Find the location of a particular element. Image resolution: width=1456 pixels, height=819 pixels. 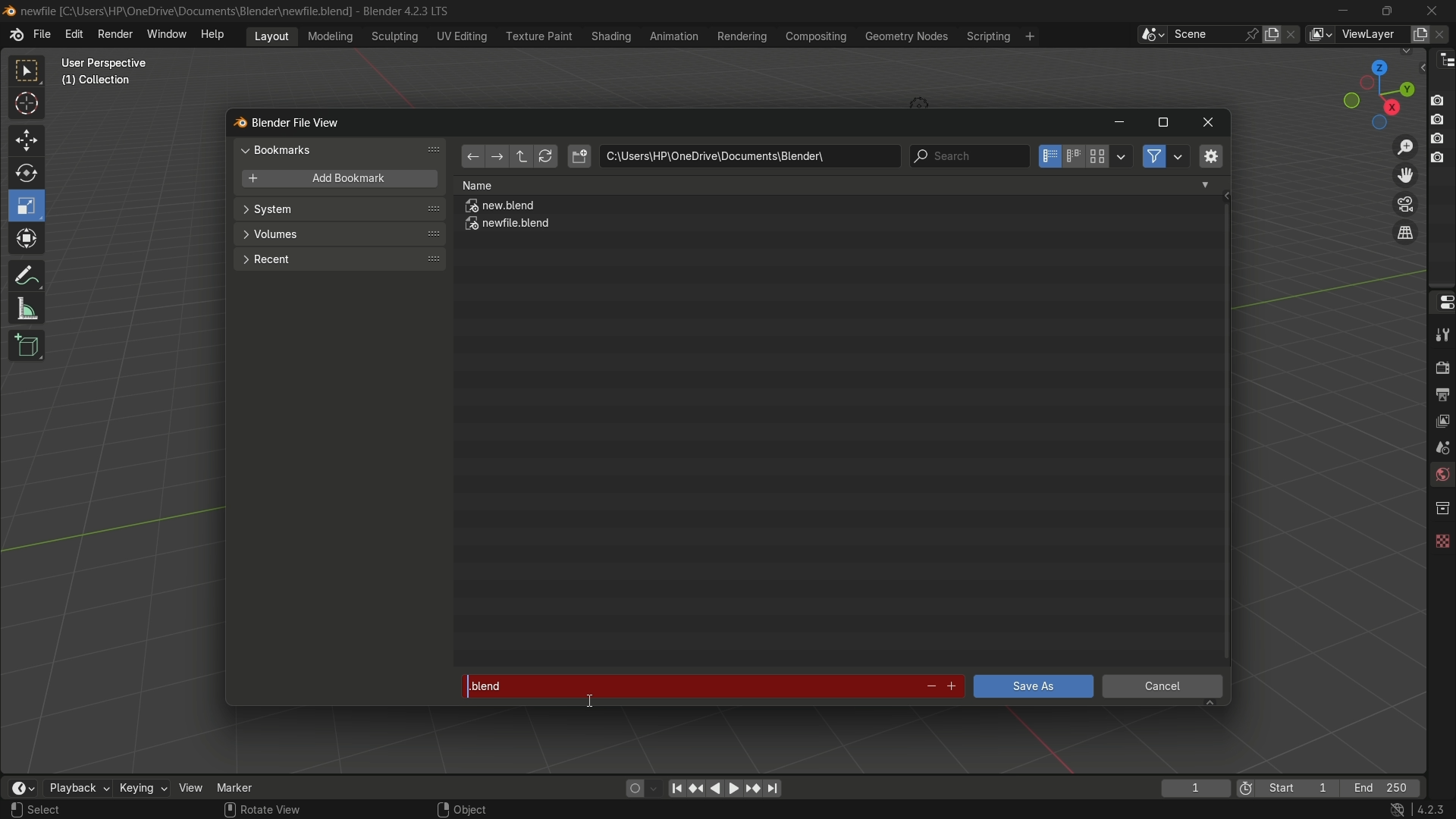

bookmarks is located at coordinates (343, 149).